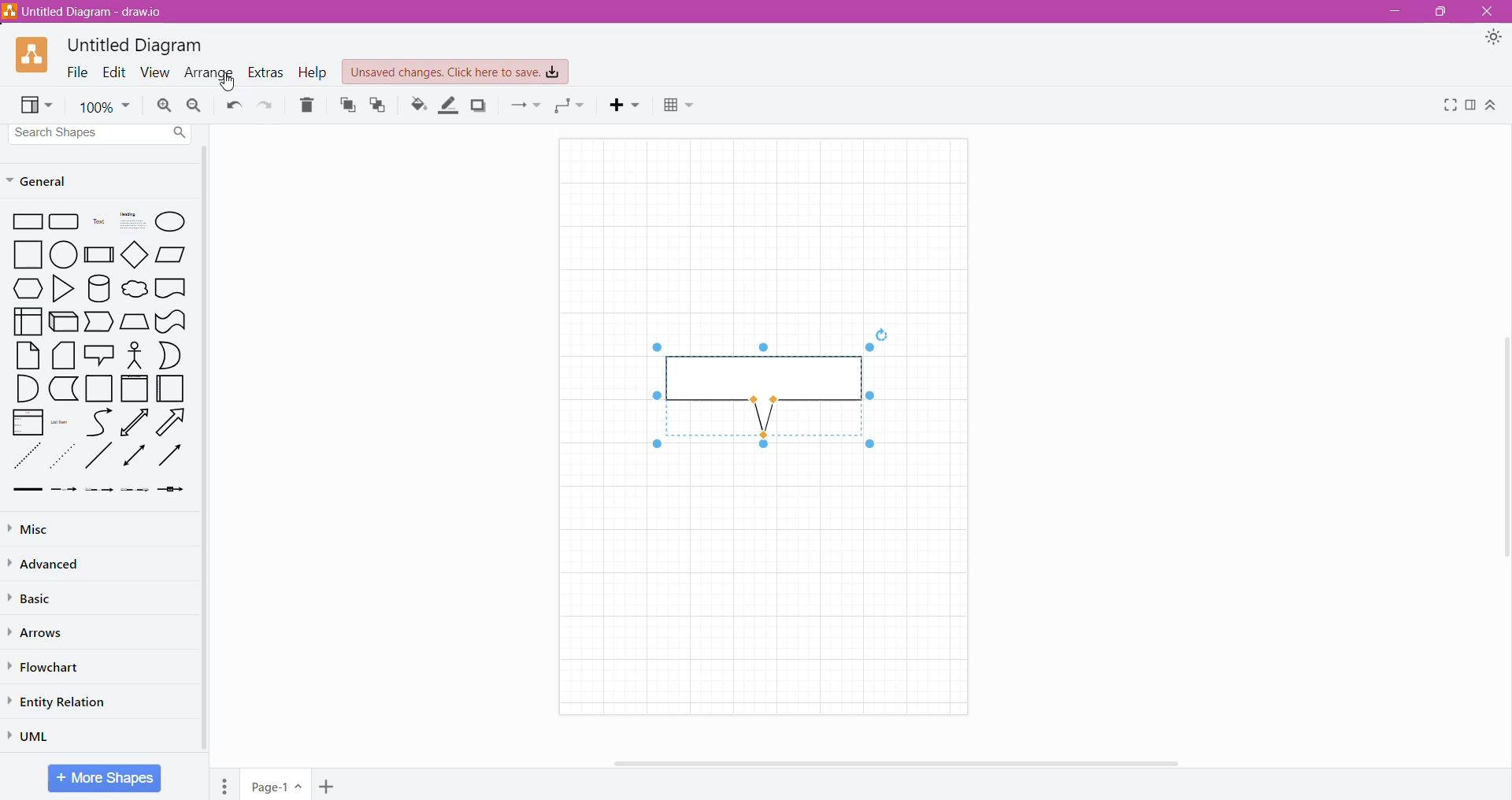 This screenshot has height=800, width=1512. Describe the element at coordinates (62, 389) in the screenshot. I see `L-Shaped Rectangle` at that location.